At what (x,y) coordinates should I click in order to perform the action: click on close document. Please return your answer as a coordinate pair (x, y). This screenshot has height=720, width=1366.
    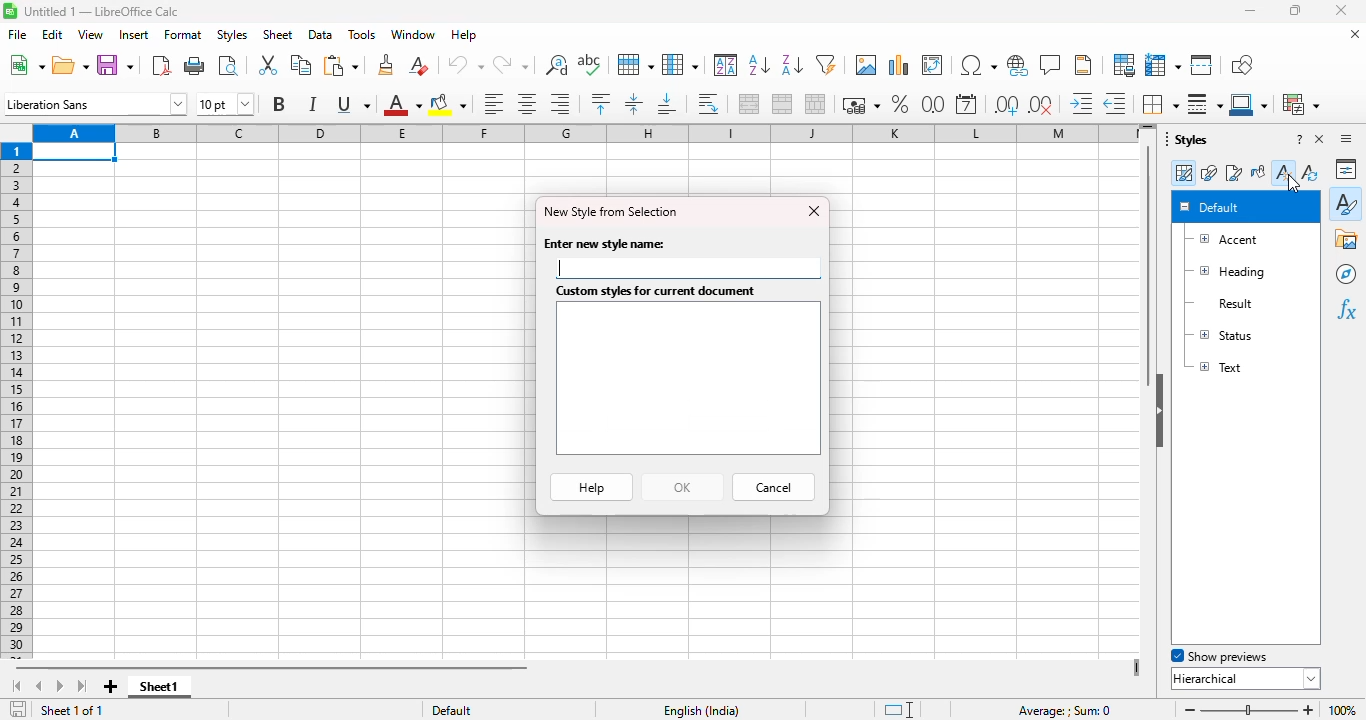
    Looking at the image, I should click on (1354, 33).